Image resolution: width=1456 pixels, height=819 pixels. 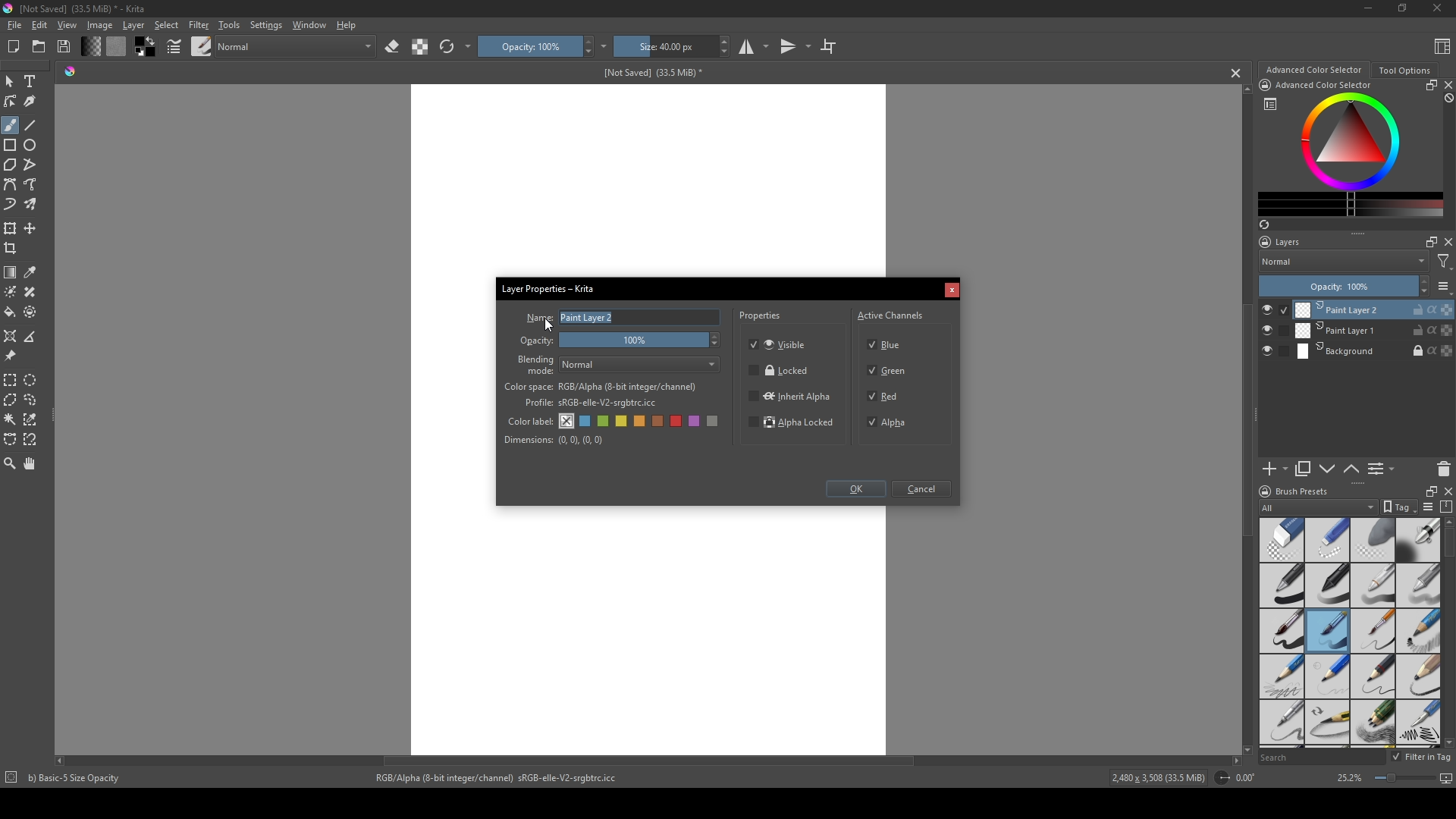 I want to click on Color label, so click(x=529, y=419).